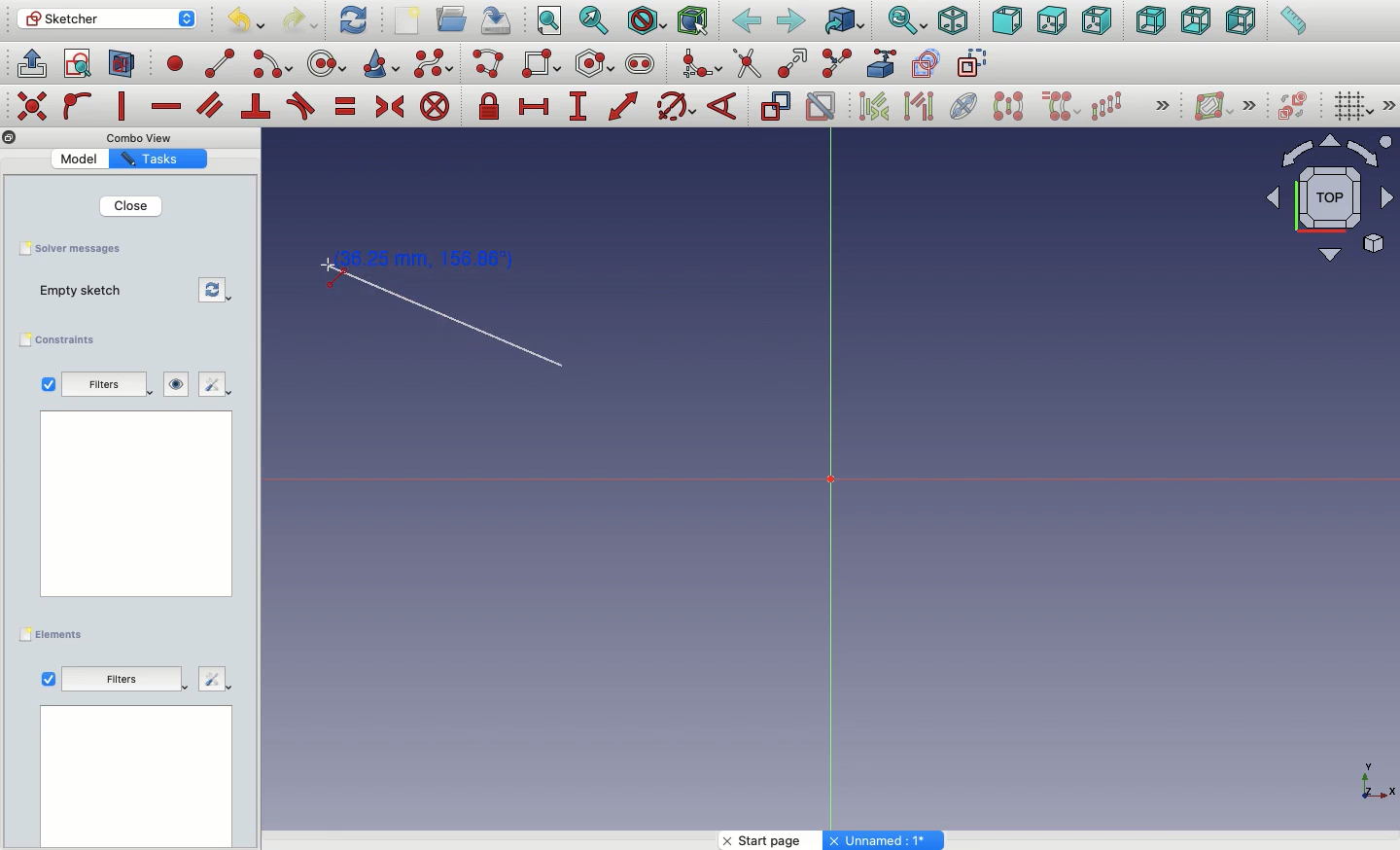  Describe the element at coordinates (775, 106) in the screenshot. I see `Toggle driving constraint` at that location.